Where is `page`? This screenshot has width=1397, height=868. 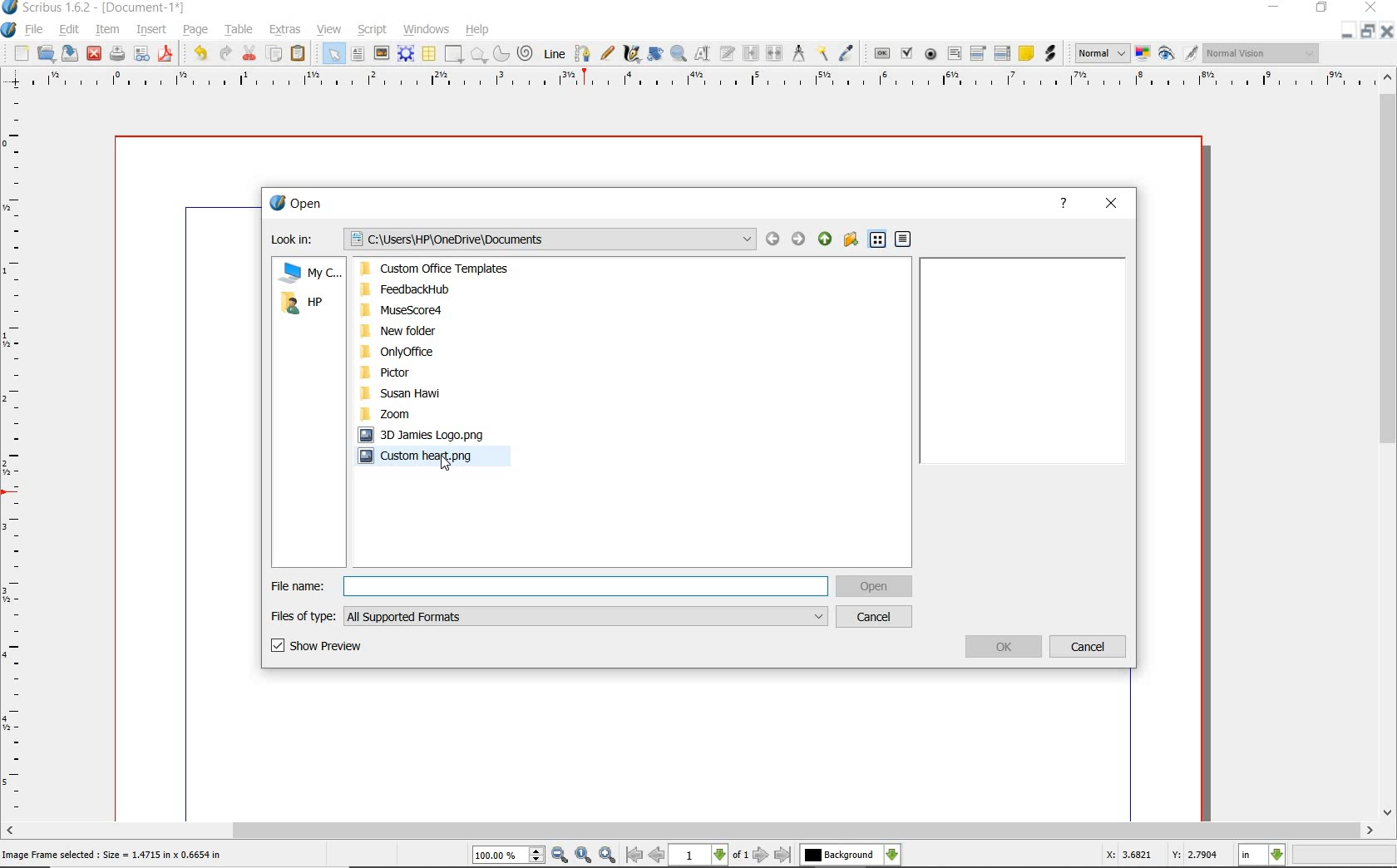 page is located at coordinates (195, 31).